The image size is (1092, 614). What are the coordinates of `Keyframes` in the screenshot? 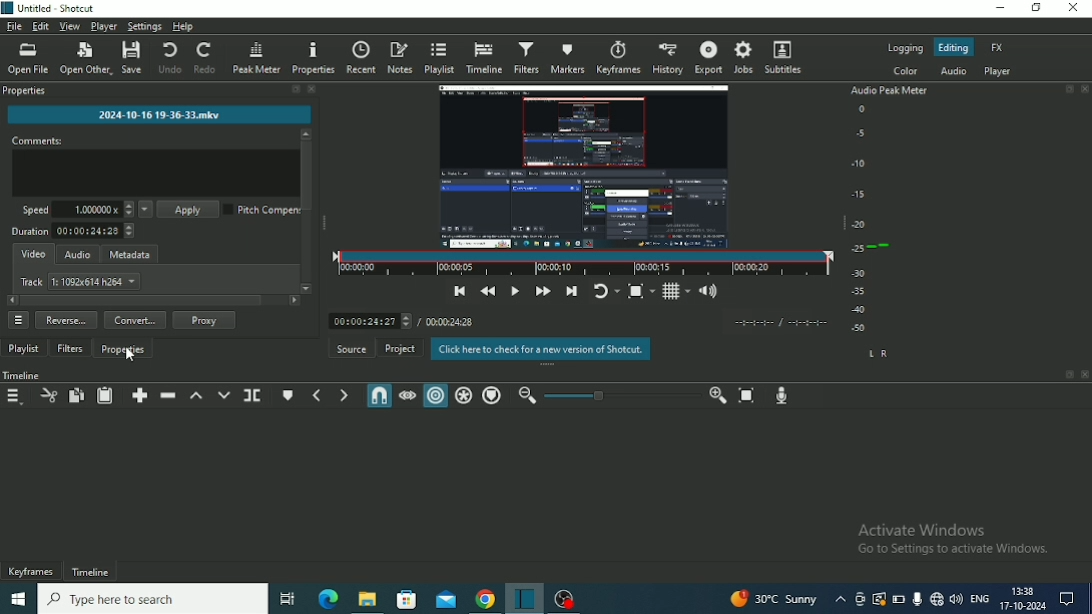 It's located at (619, 57).